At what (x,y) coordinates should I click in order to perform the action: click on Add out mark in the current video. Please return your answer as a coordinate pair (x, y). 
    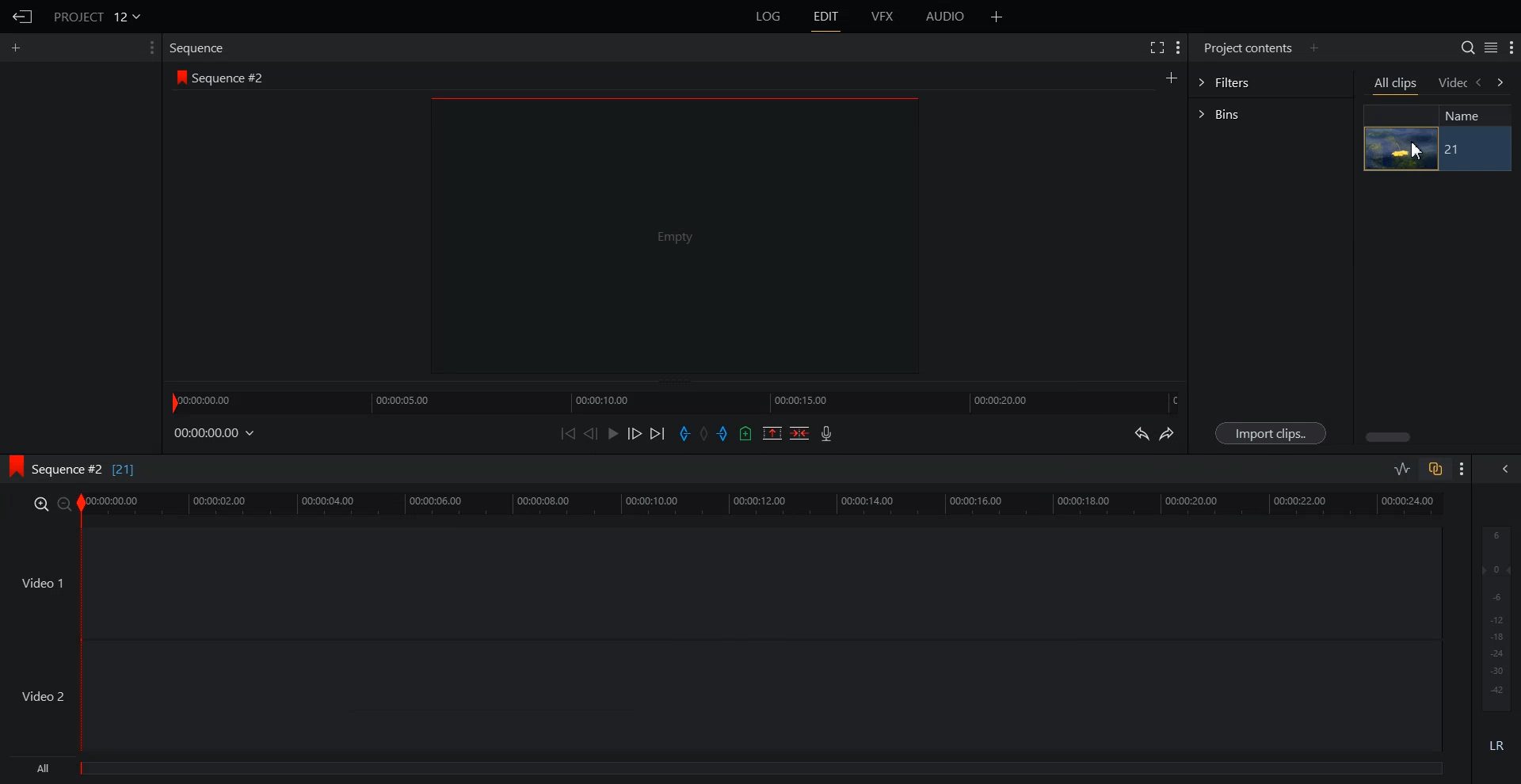
    Looking at the image, I should click on (723, 434).